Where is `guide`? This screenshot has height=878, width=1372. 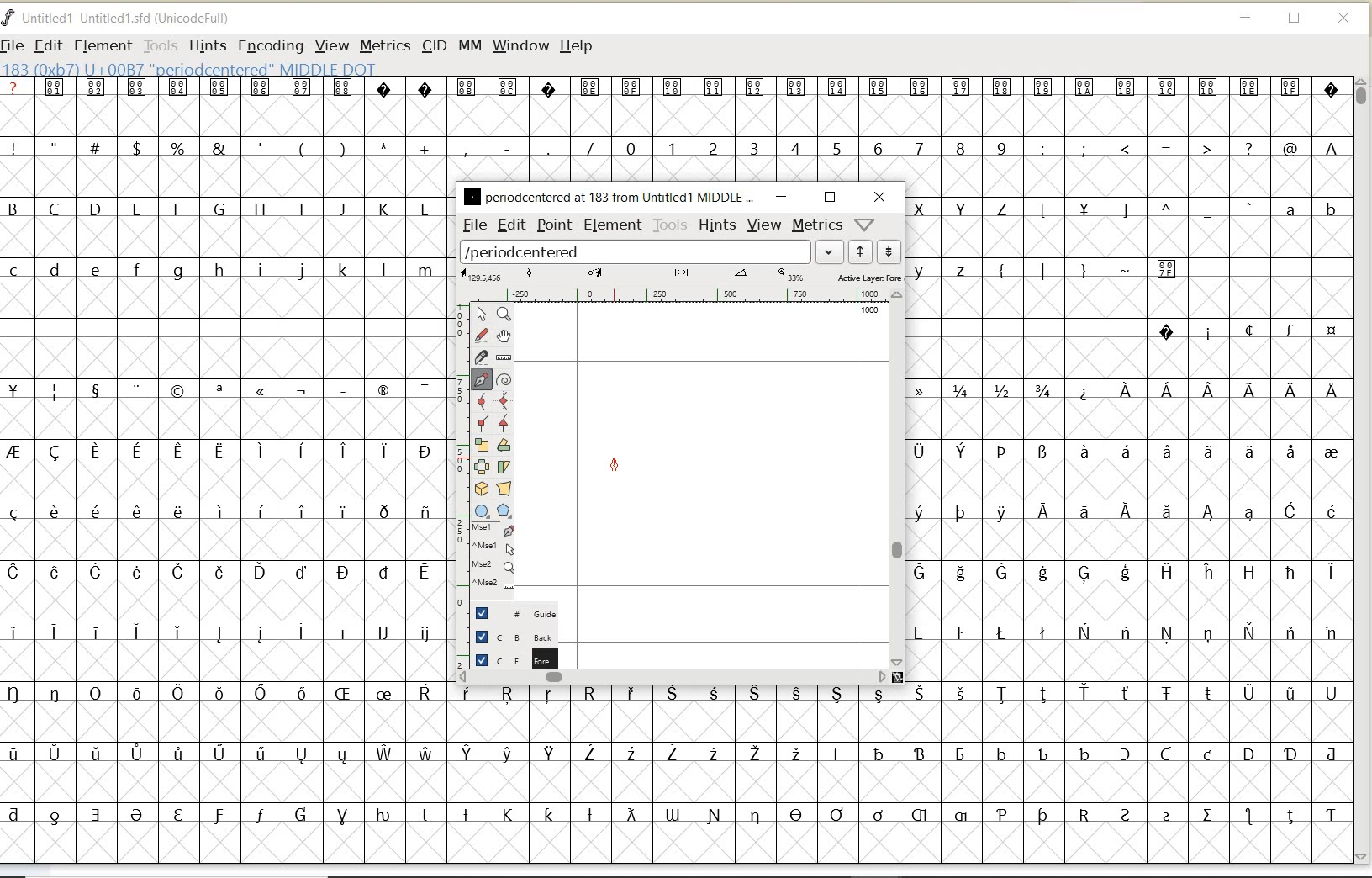 guide is located at coordinates (510, 614).